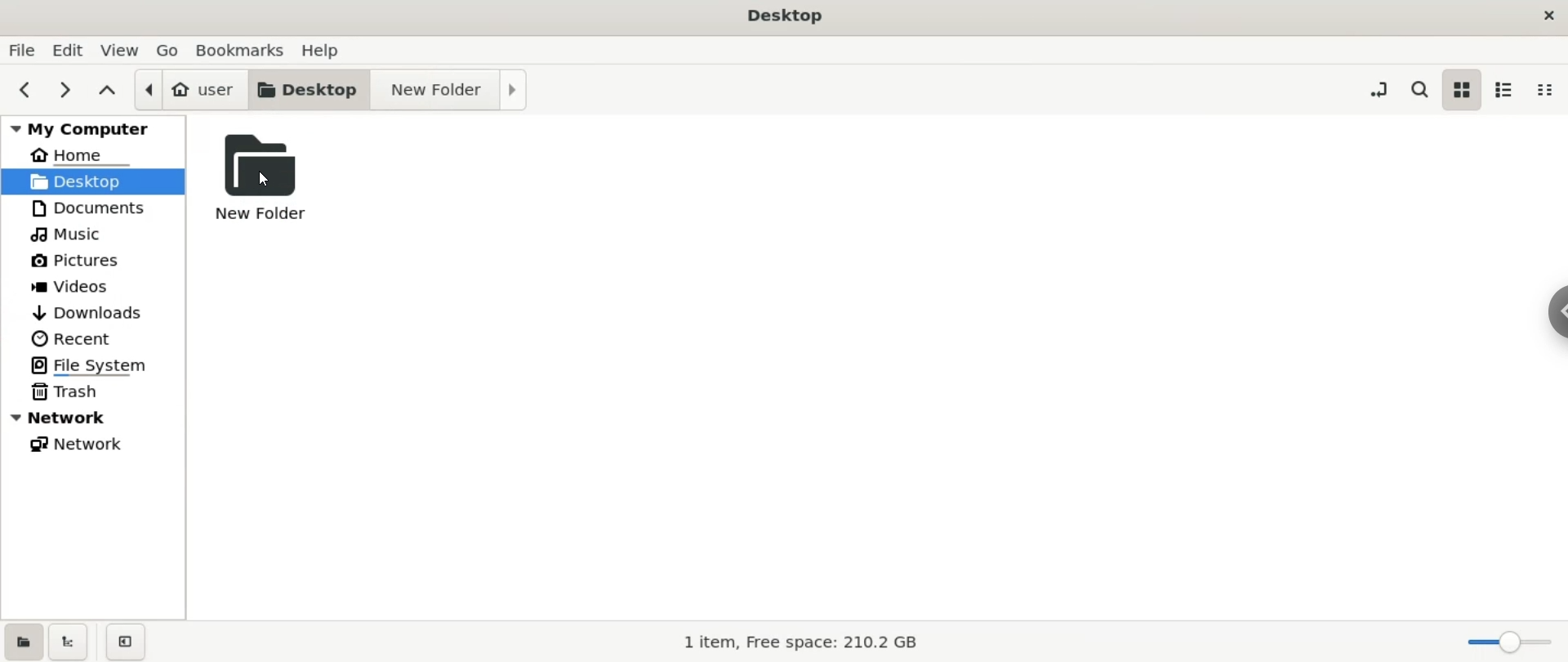 Image resolution: width=1568 pixels, height=662 pixels. Describe the element at coordinates (121, 51) in the screenshot. I see `view` at that location.